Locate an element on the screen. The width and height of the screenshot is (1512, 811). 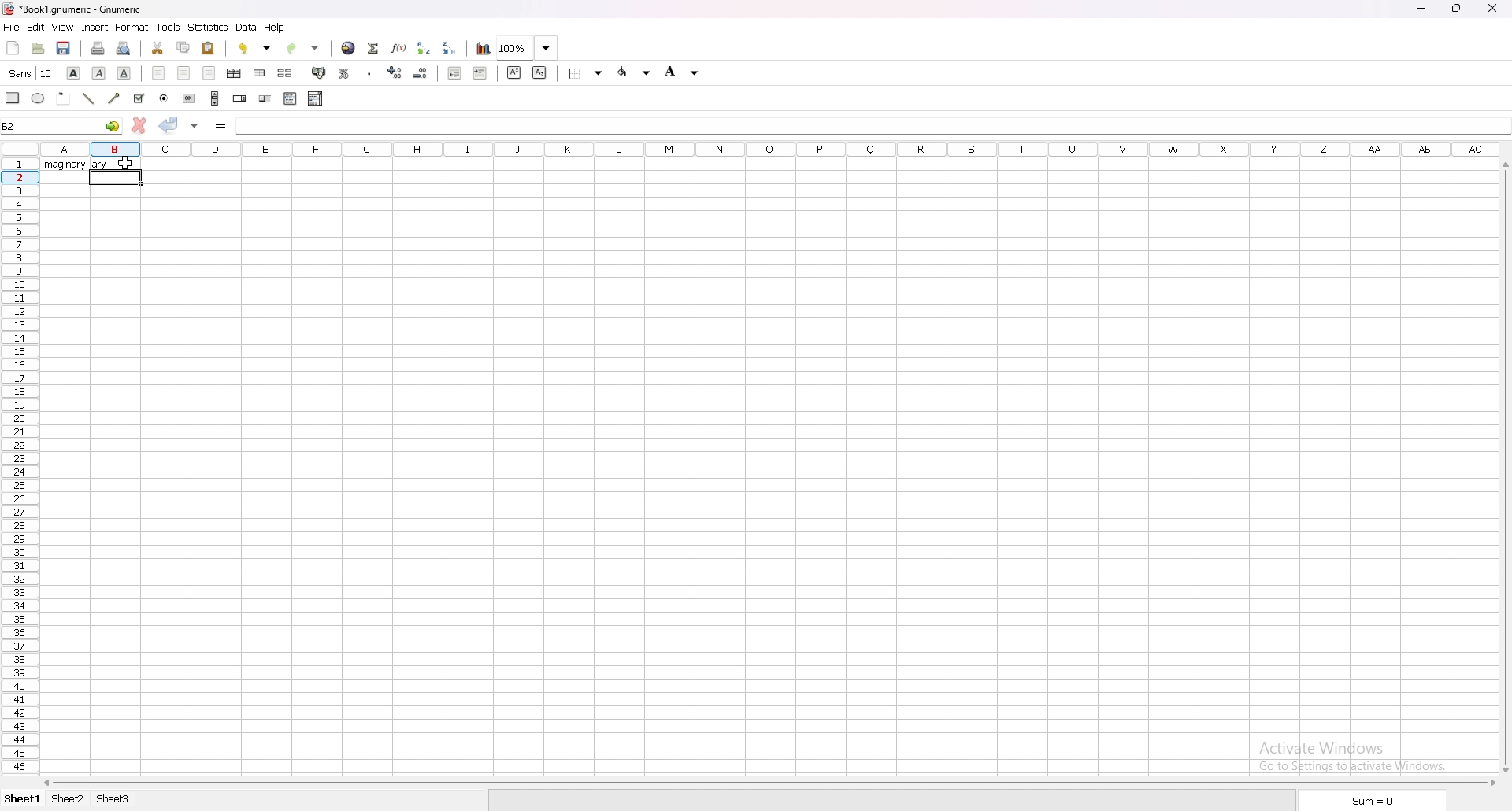
font is located at coordinates (31, 73).